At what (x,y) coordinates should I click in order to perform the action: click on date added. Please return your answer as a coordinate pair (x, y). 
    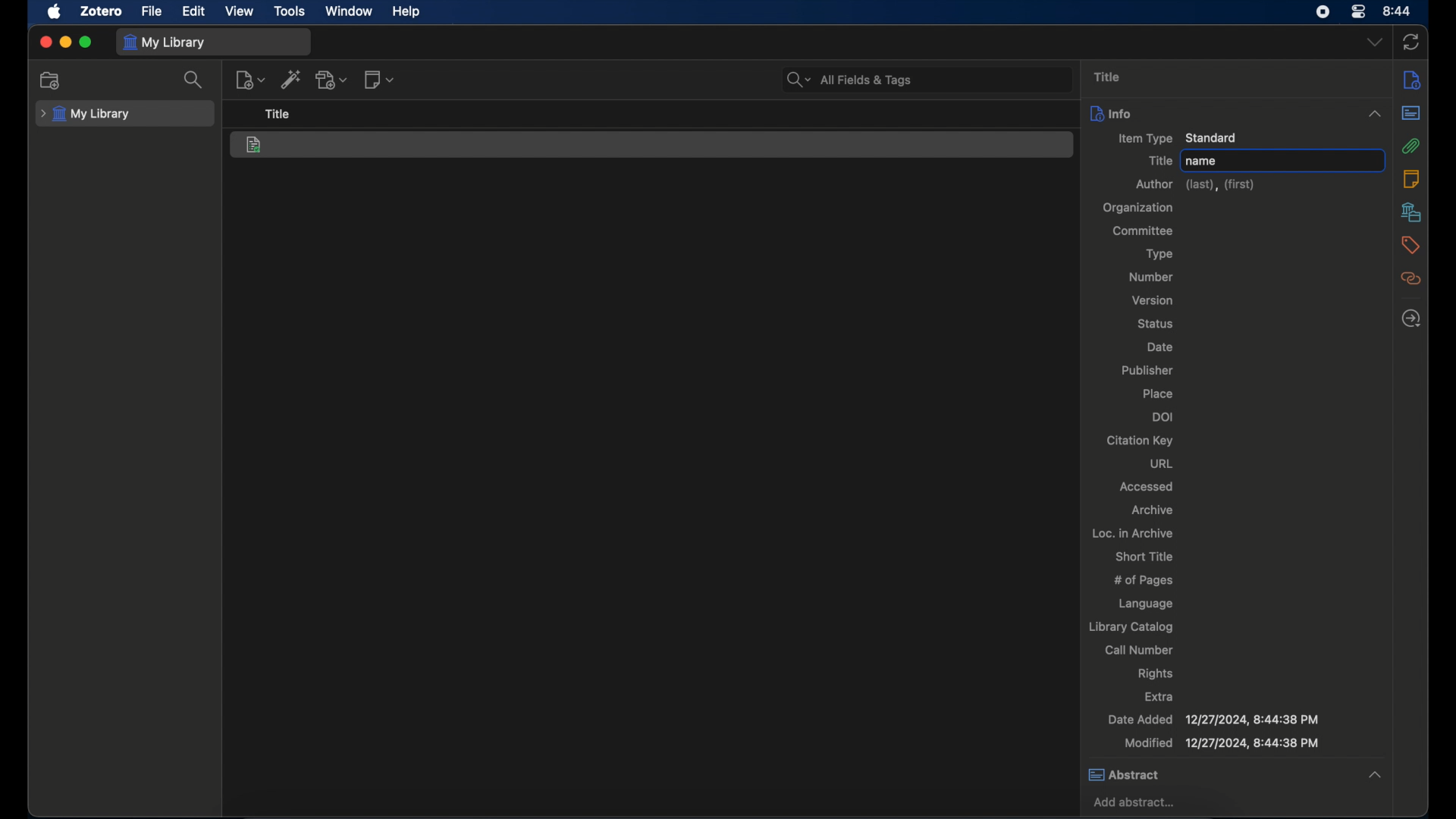
    Looking at the image, I should click on (1213, 719).